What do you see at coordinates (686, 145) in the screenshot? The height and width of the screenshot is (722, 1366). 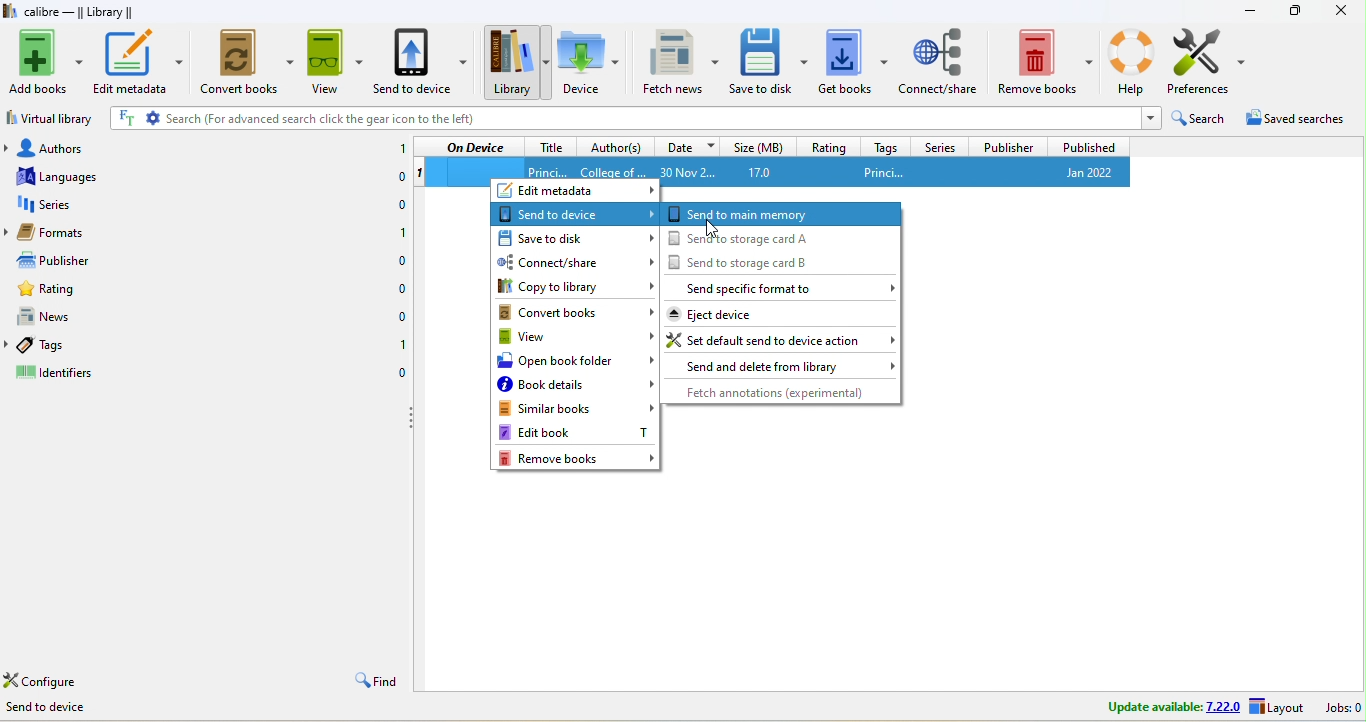 I see `date` at bounding box center [686, 145].